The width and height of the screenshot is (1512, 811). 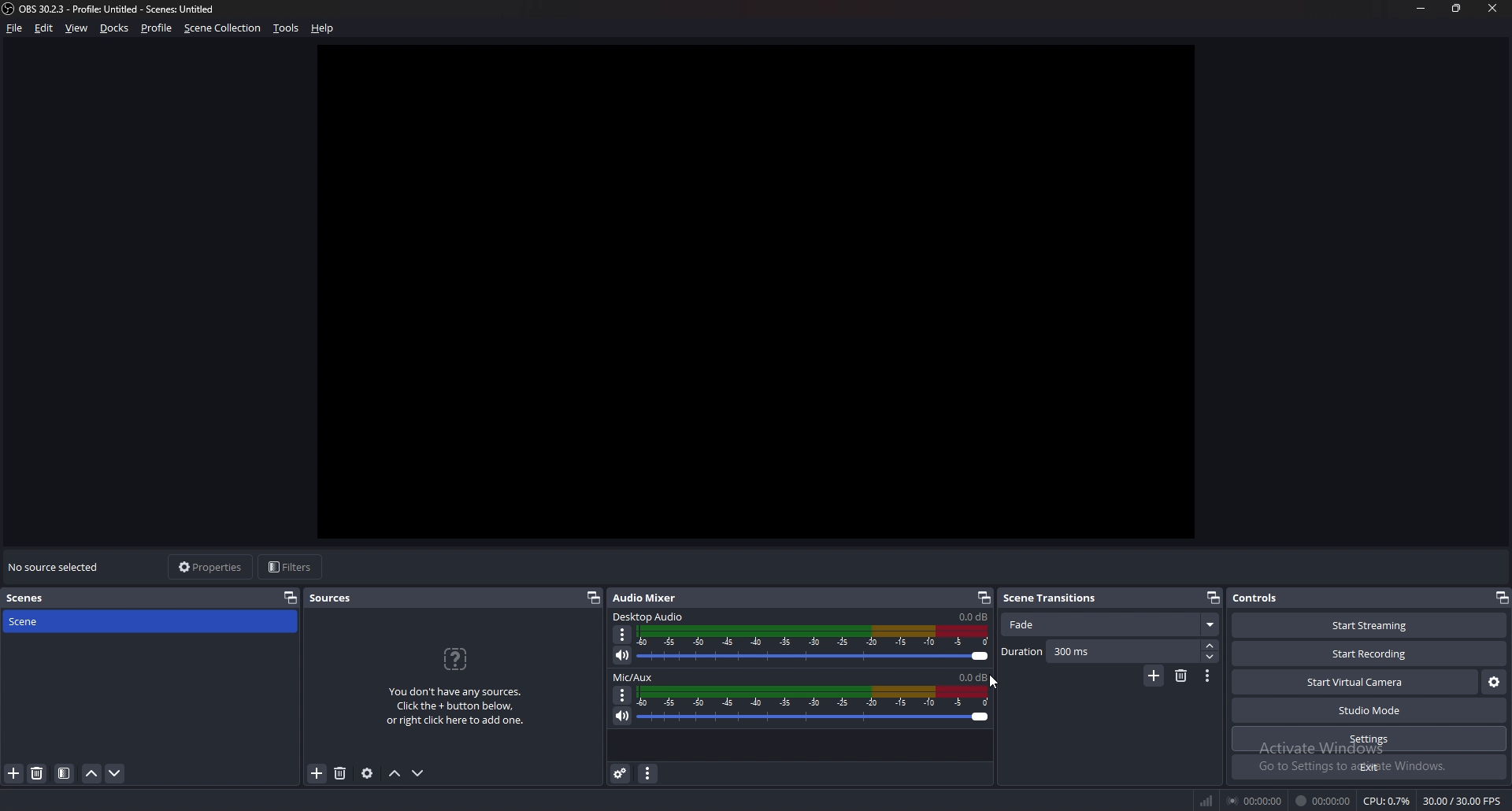 What do you see at coordinates (224, 28) in the screenshot?
I see `scene collection` at bounding box center [224, 28].